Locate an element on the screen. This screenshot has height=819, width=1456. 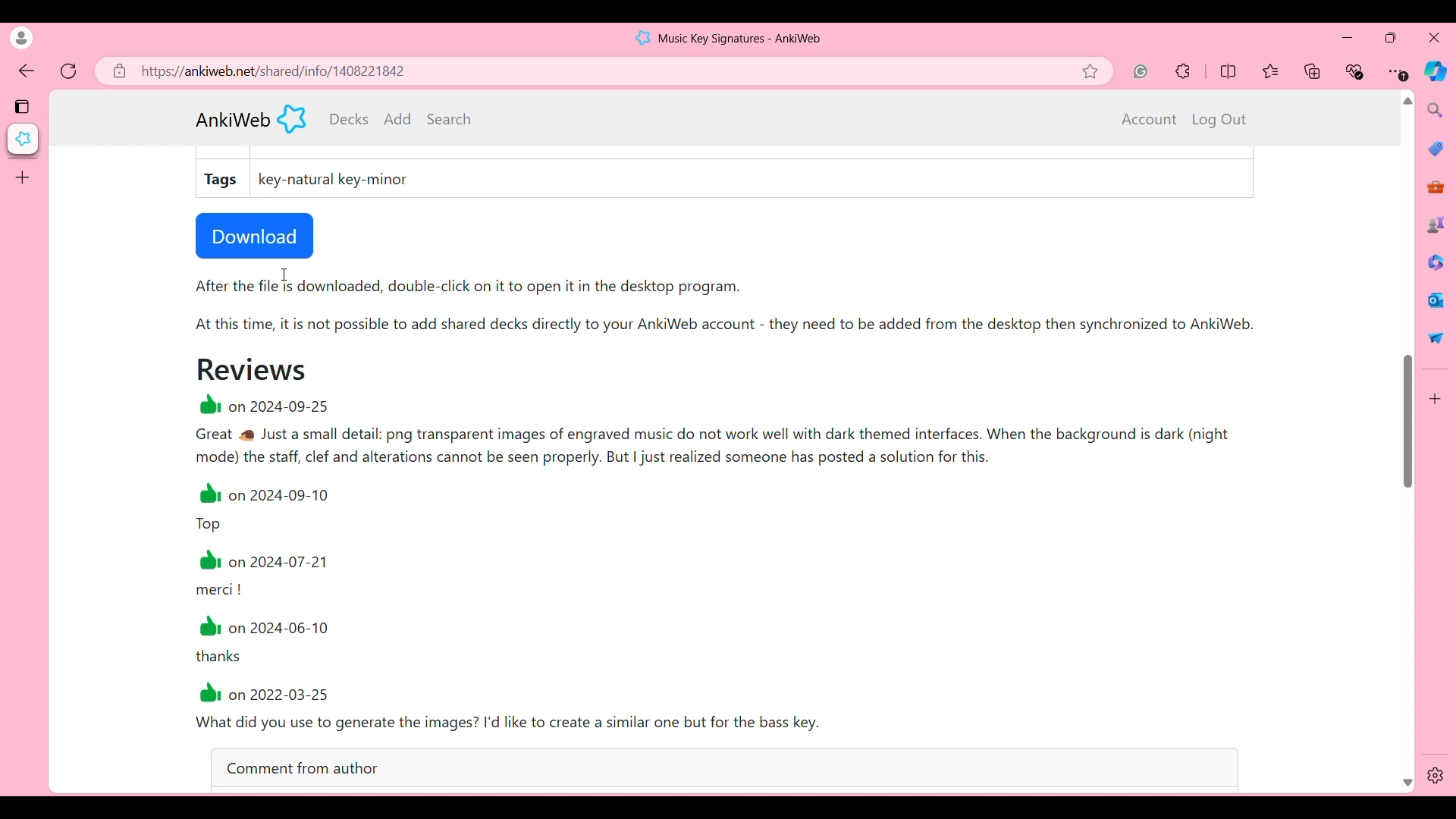
Games is located at coordinates (1436, 224).